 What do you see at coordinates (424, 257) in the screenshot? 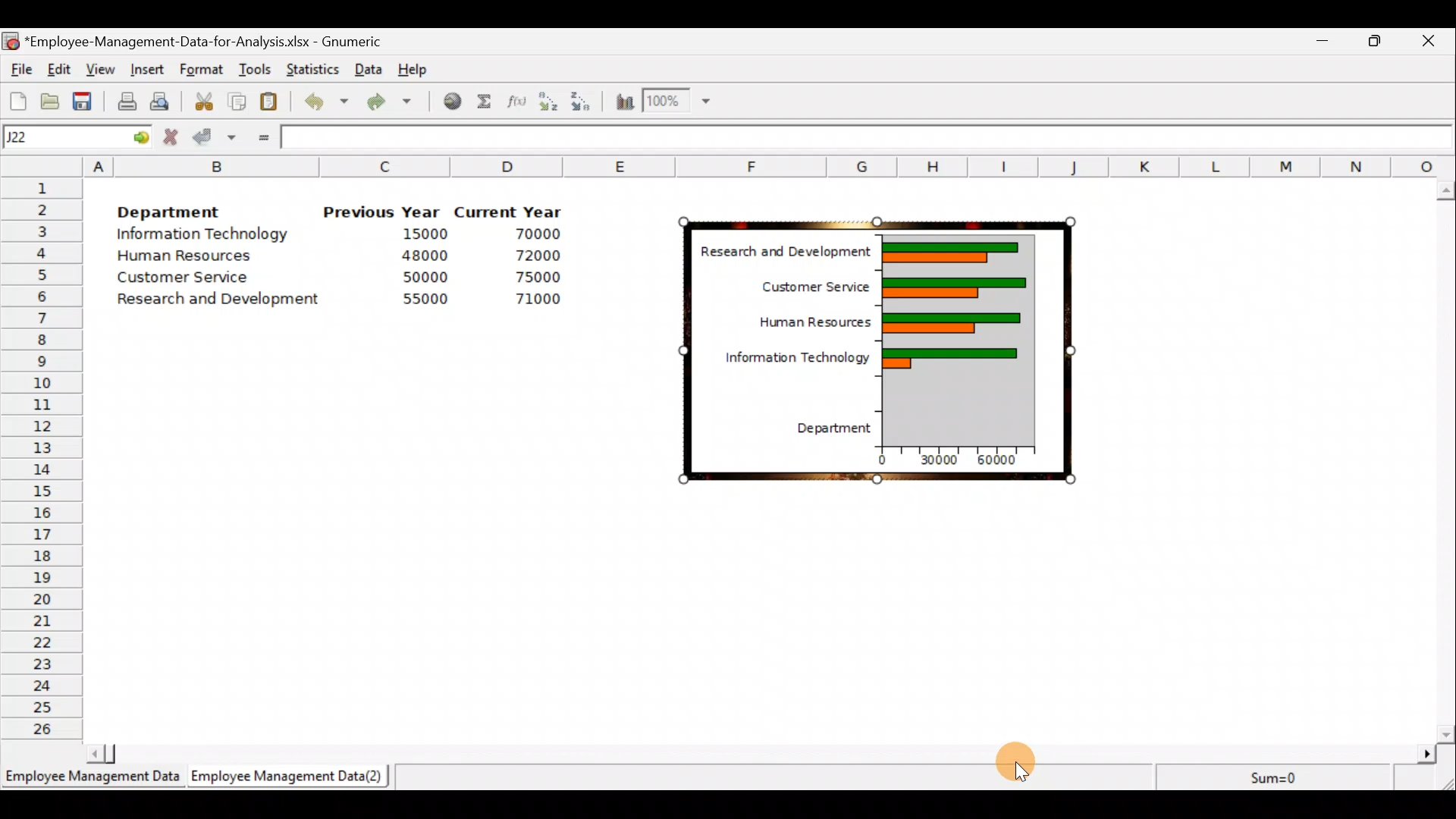
I see `48000` at bounding box center [424, 257].